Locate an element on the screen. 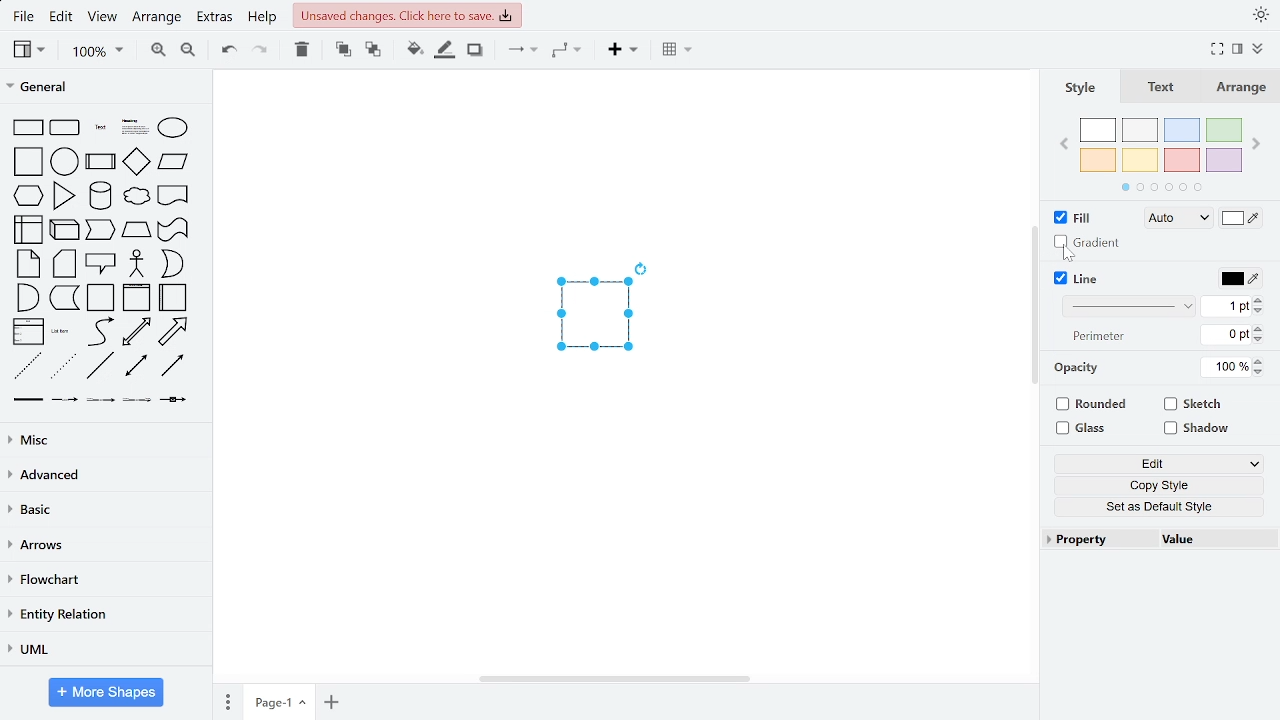 The width and height of the screenshot is (1280, 720). general shapes is located at coordinates (65, 127).